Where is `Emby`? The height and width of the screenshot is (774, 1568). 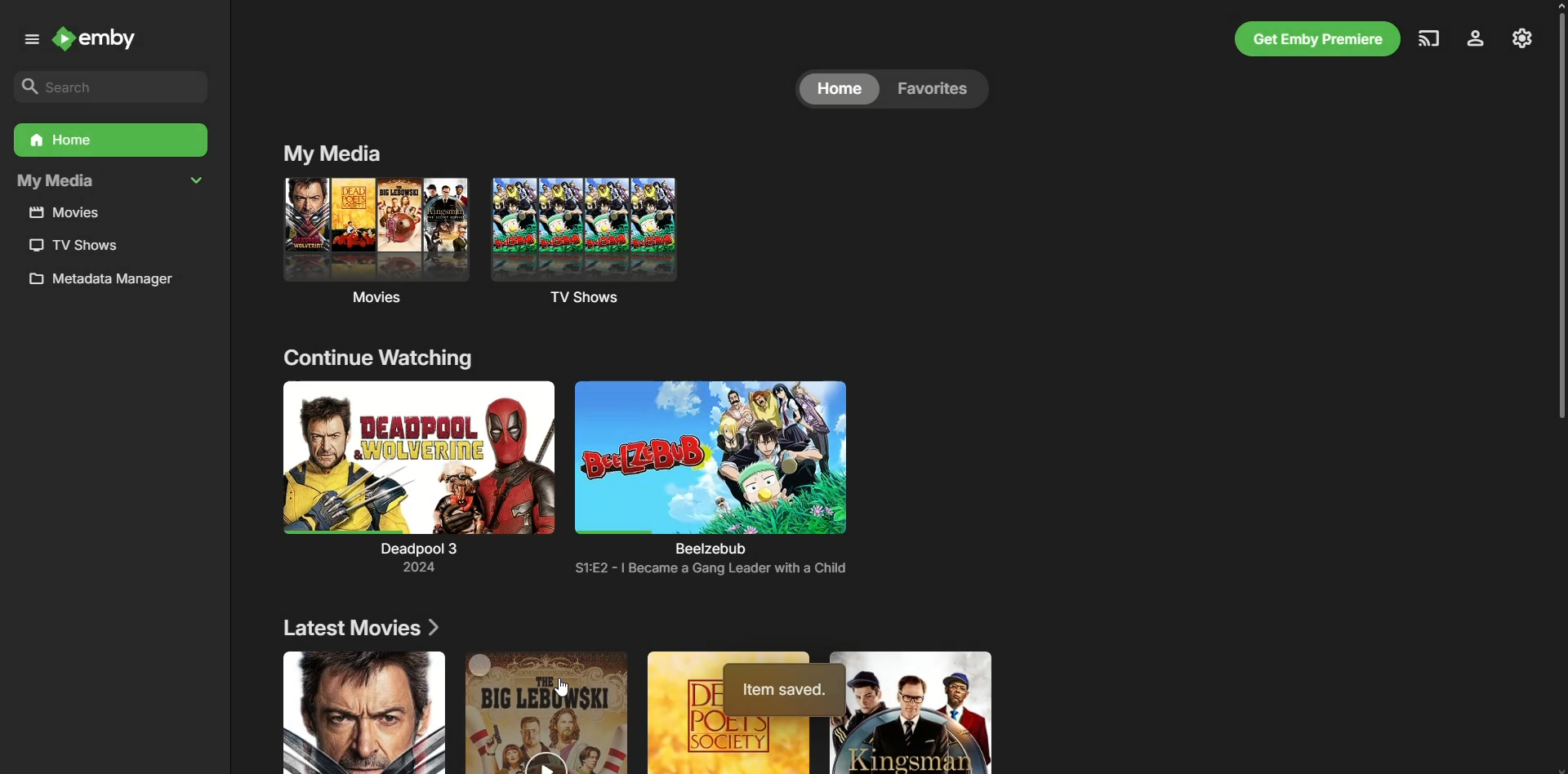
Emby is located at coordinates (105, 42).